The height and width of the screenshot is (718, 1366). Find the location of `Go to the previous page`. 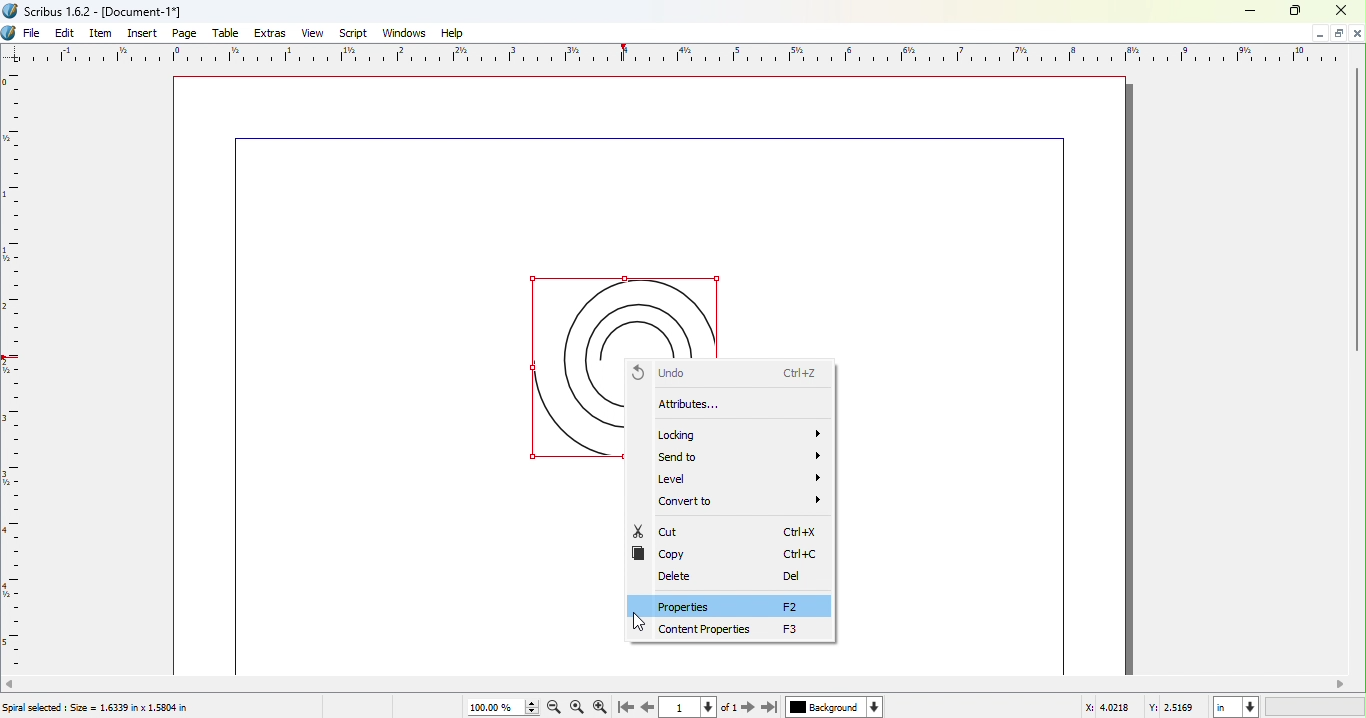

Go to the previous page is located at coordinates (645, 708).